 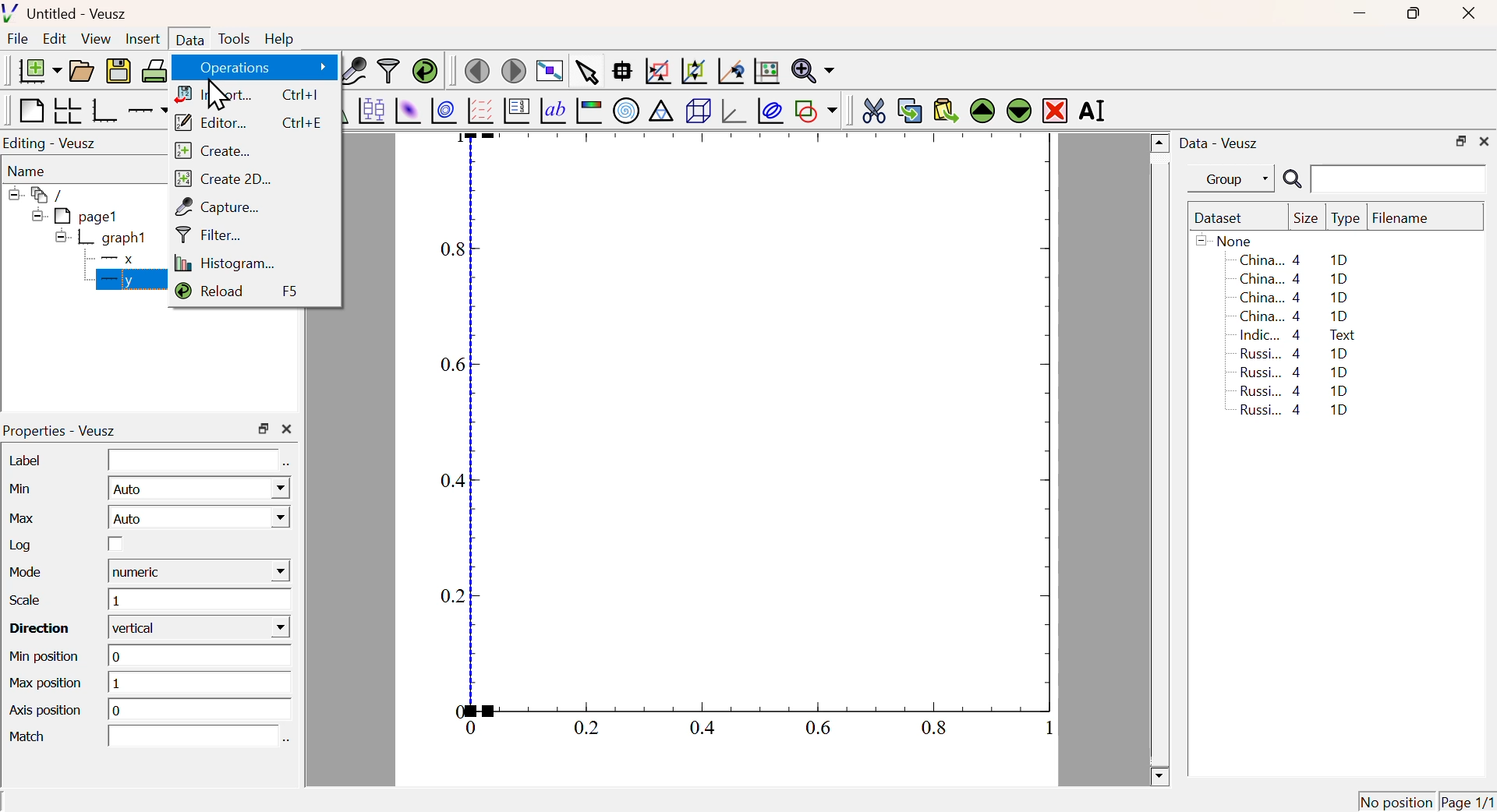 I want to click on China... 4 1D, so click(x=1296, y=298).